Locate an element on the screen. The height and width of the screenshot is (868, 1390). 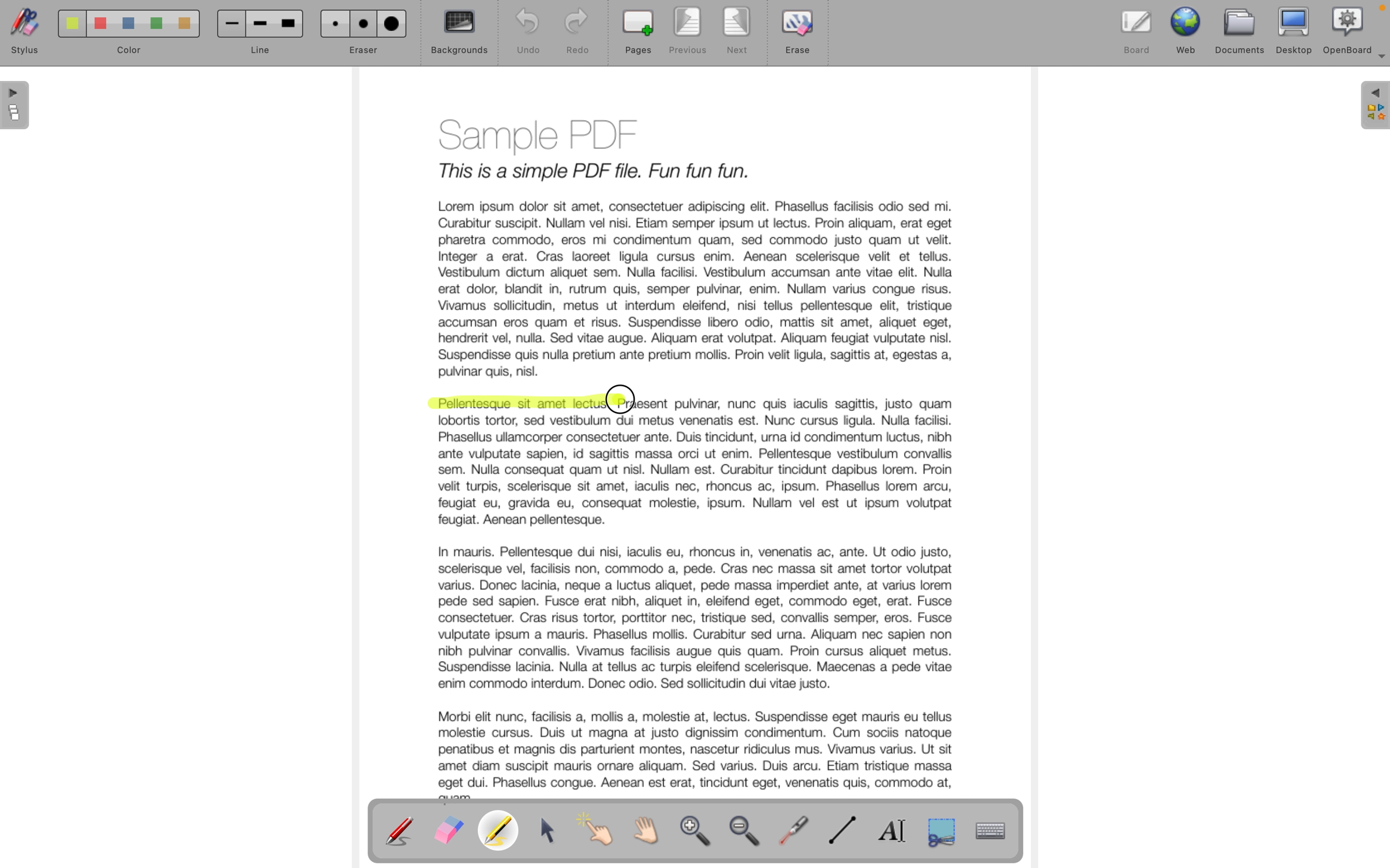
cursor is located at coordinates (626, 396).